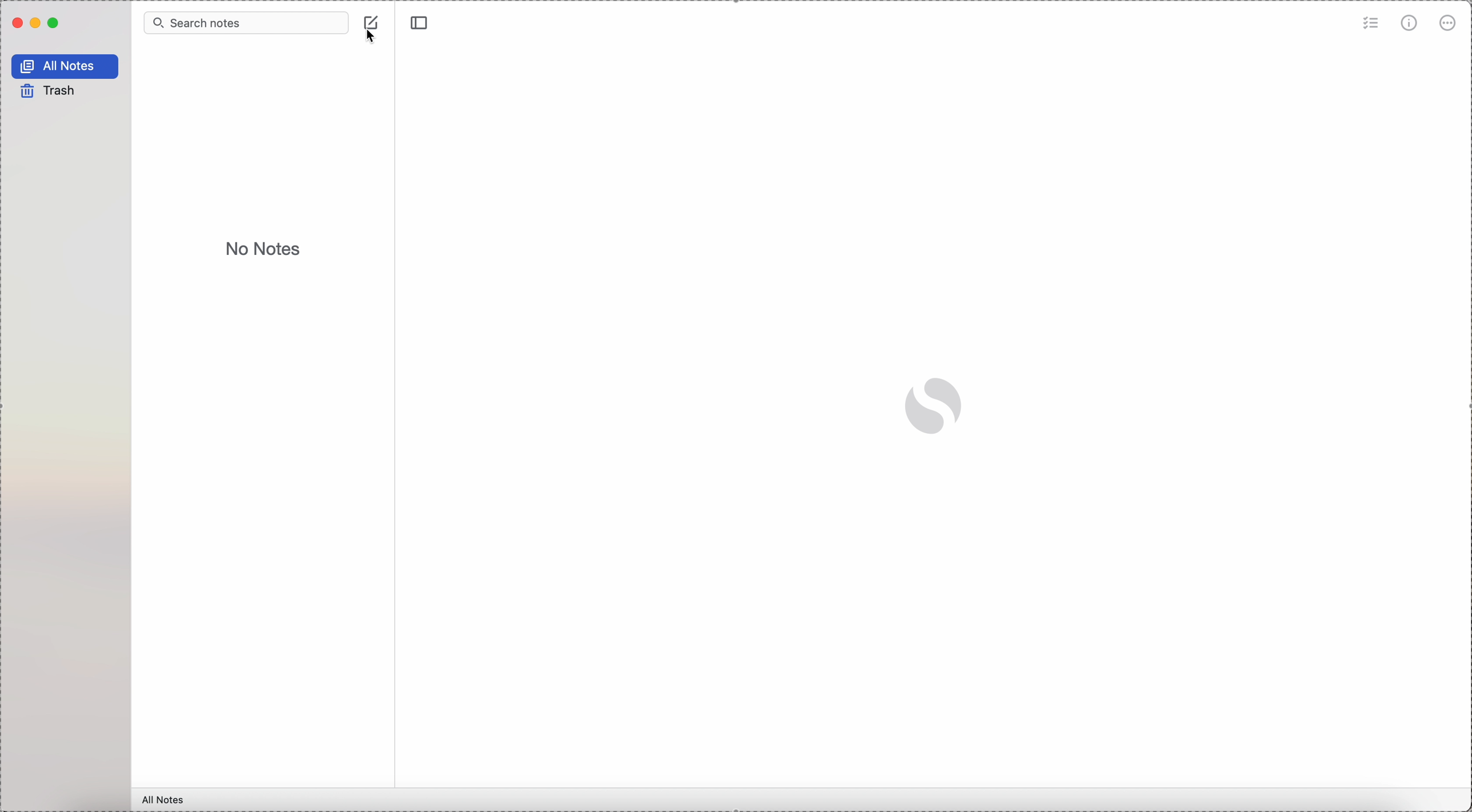 The image size is (1472, 812). Describe the element at coordinates (372, 30) in the screenshot. I see `click on create note` at that location.